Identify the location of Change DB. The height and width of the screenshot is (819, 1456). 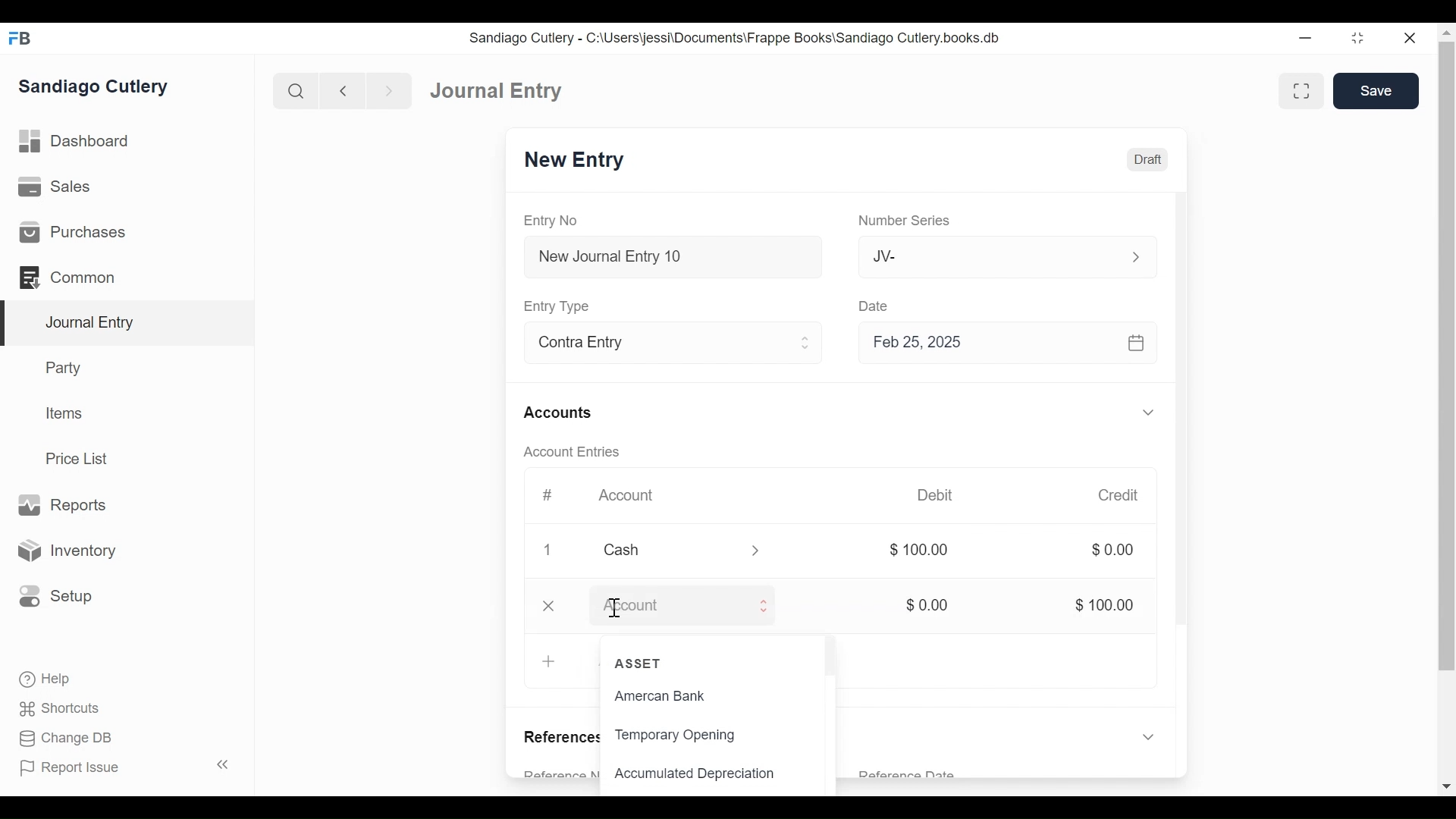
(61, 738).